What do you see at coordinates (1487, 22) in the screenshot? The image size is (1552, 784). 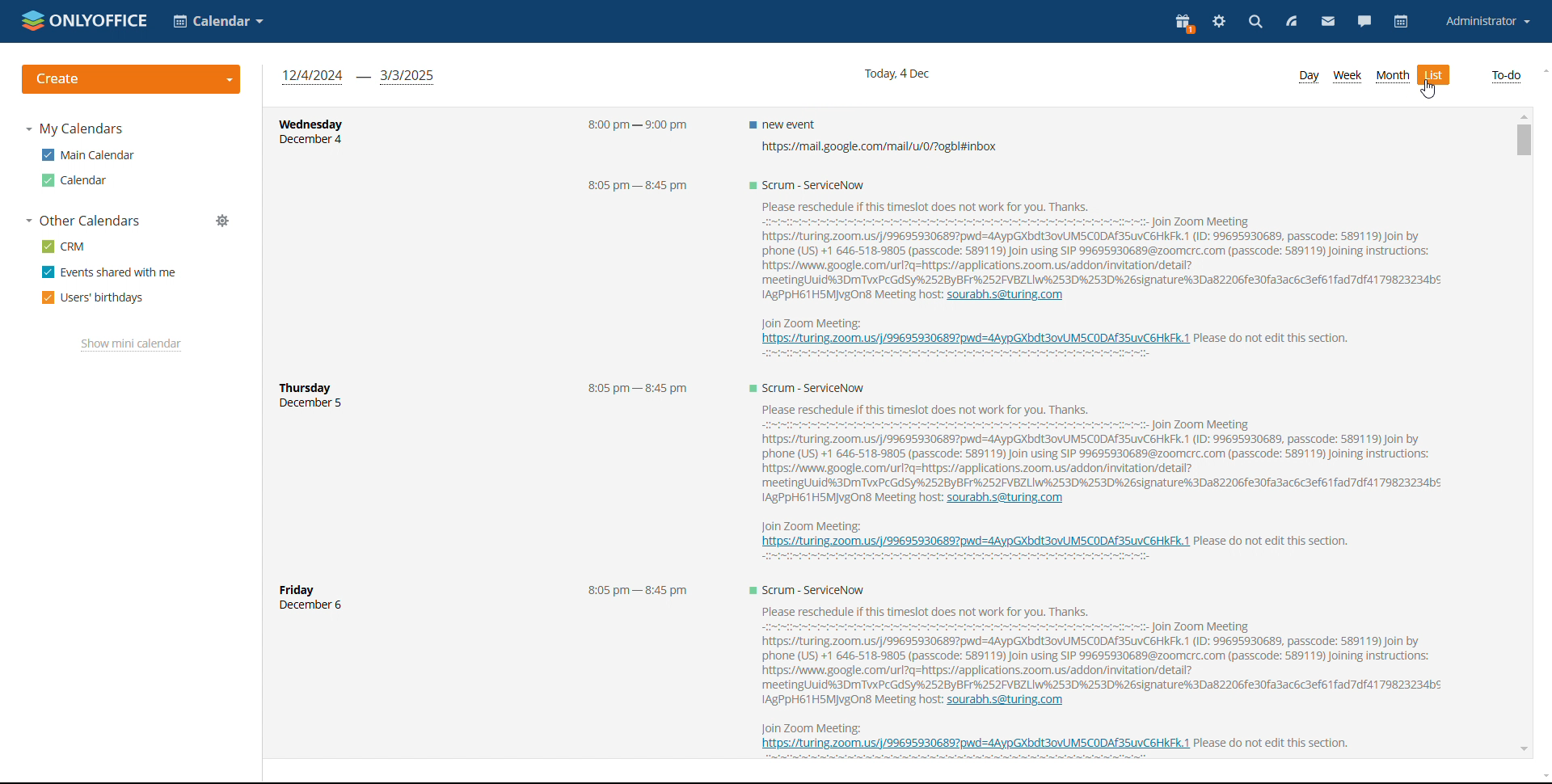 I see `account` at bounding box center [1487, 22].